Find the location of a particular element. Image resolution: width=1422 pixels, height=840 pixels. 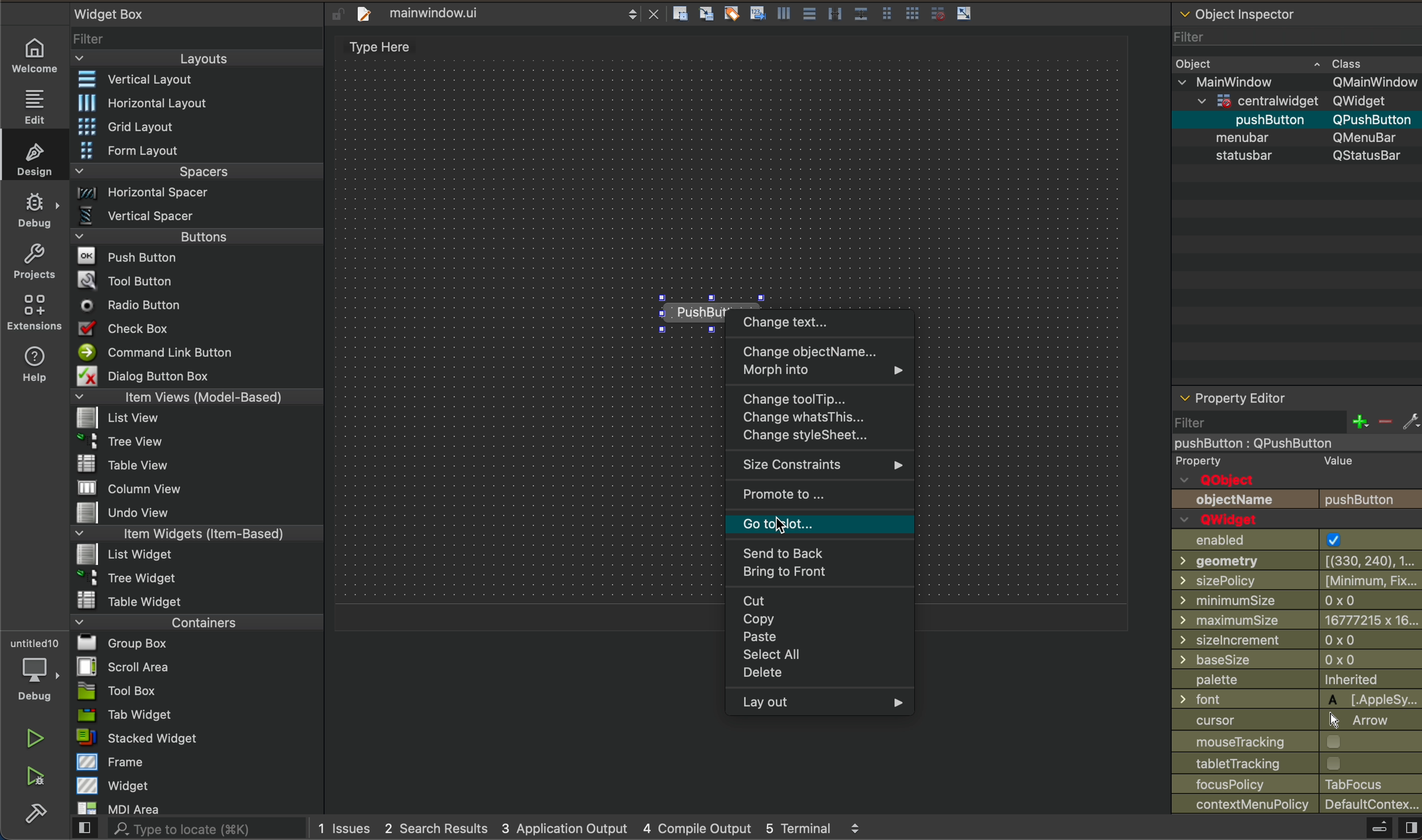

spacers is located at coordinates (194, 170).